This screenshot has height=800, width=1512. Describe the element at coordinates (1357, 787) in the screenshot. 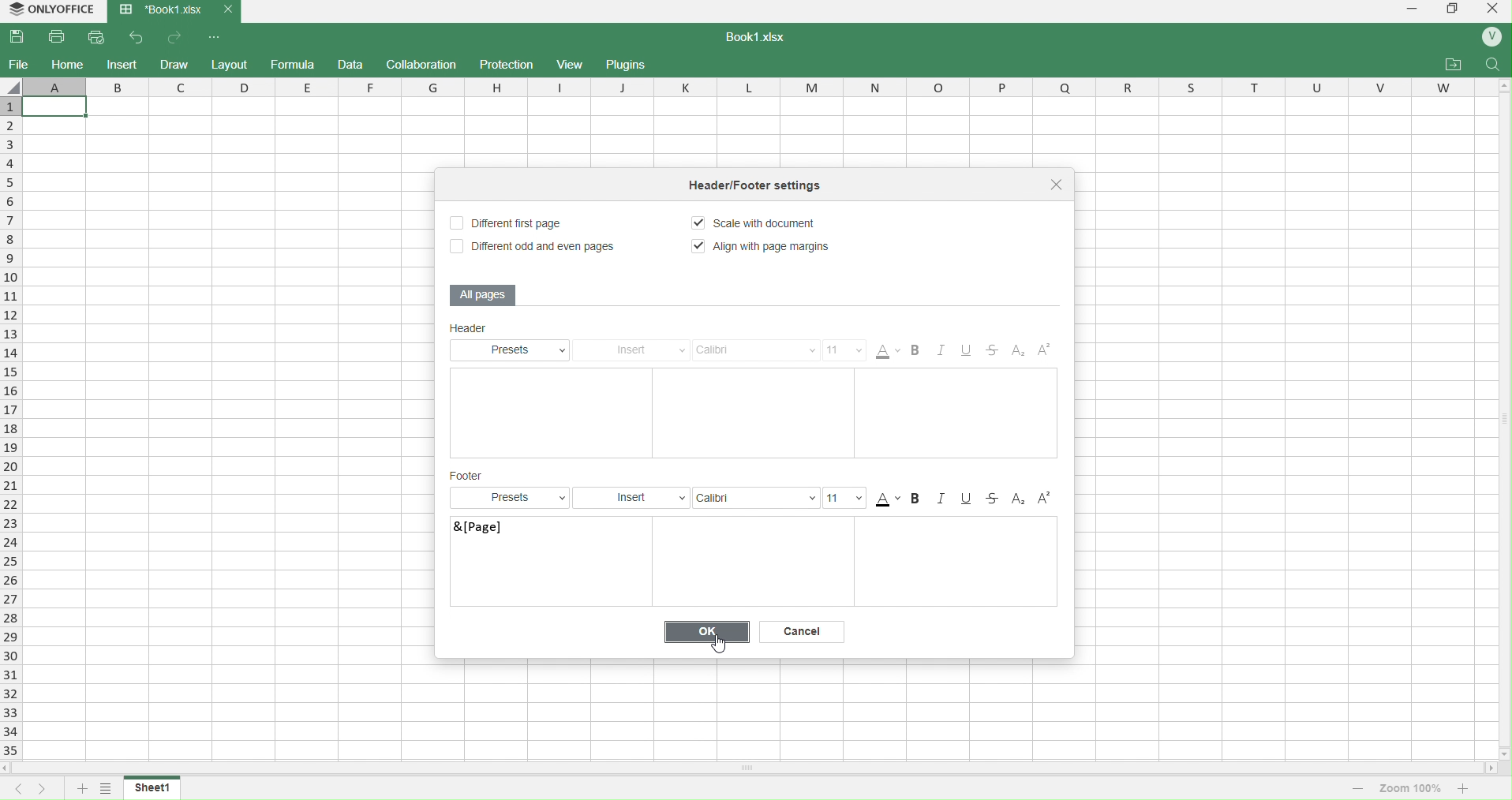

I see `decrease zoom ` at that location.